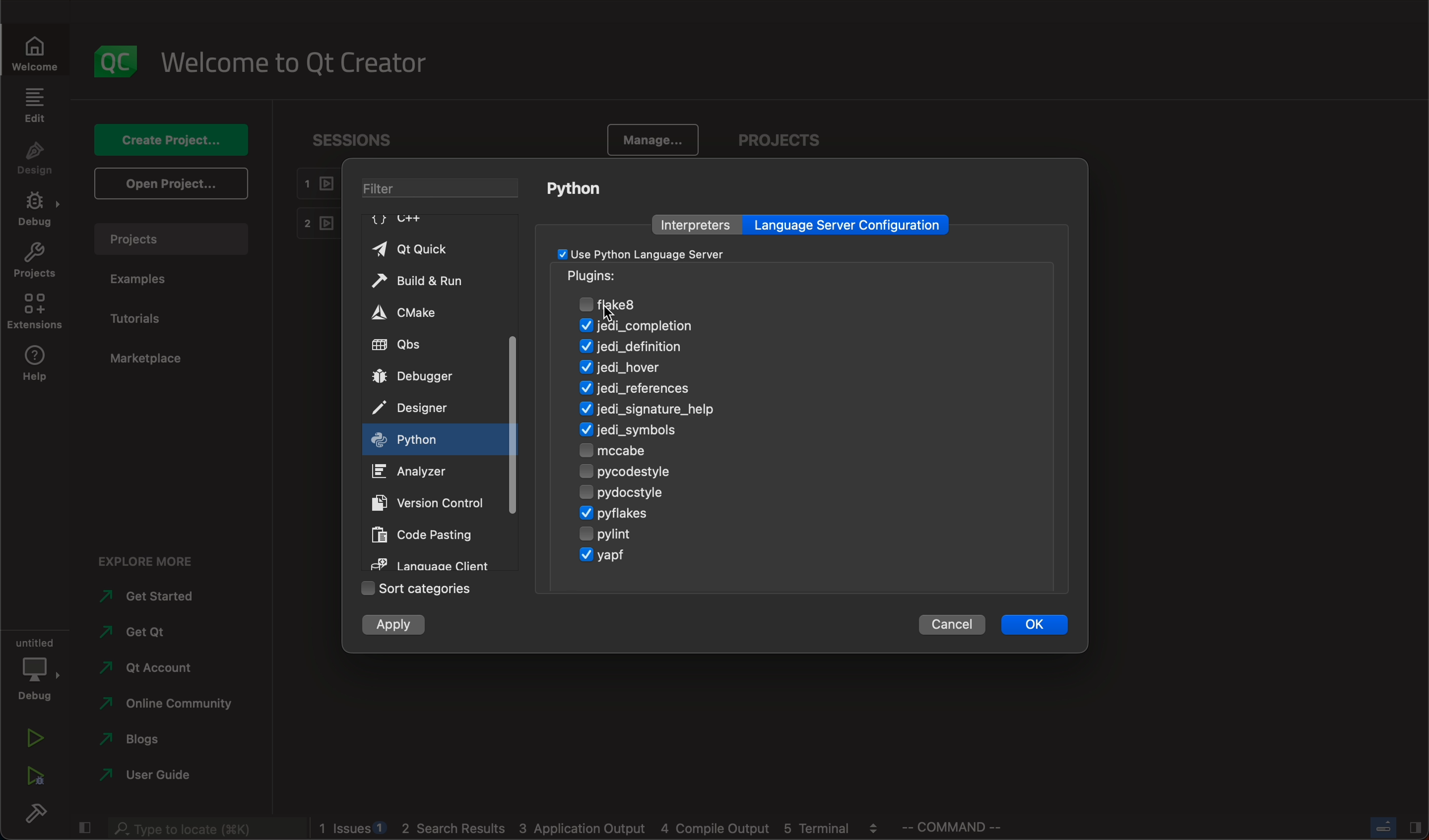  Describe the element at coordinates (1393, 827) in the screenshot. I see `close slide bar` at that location.